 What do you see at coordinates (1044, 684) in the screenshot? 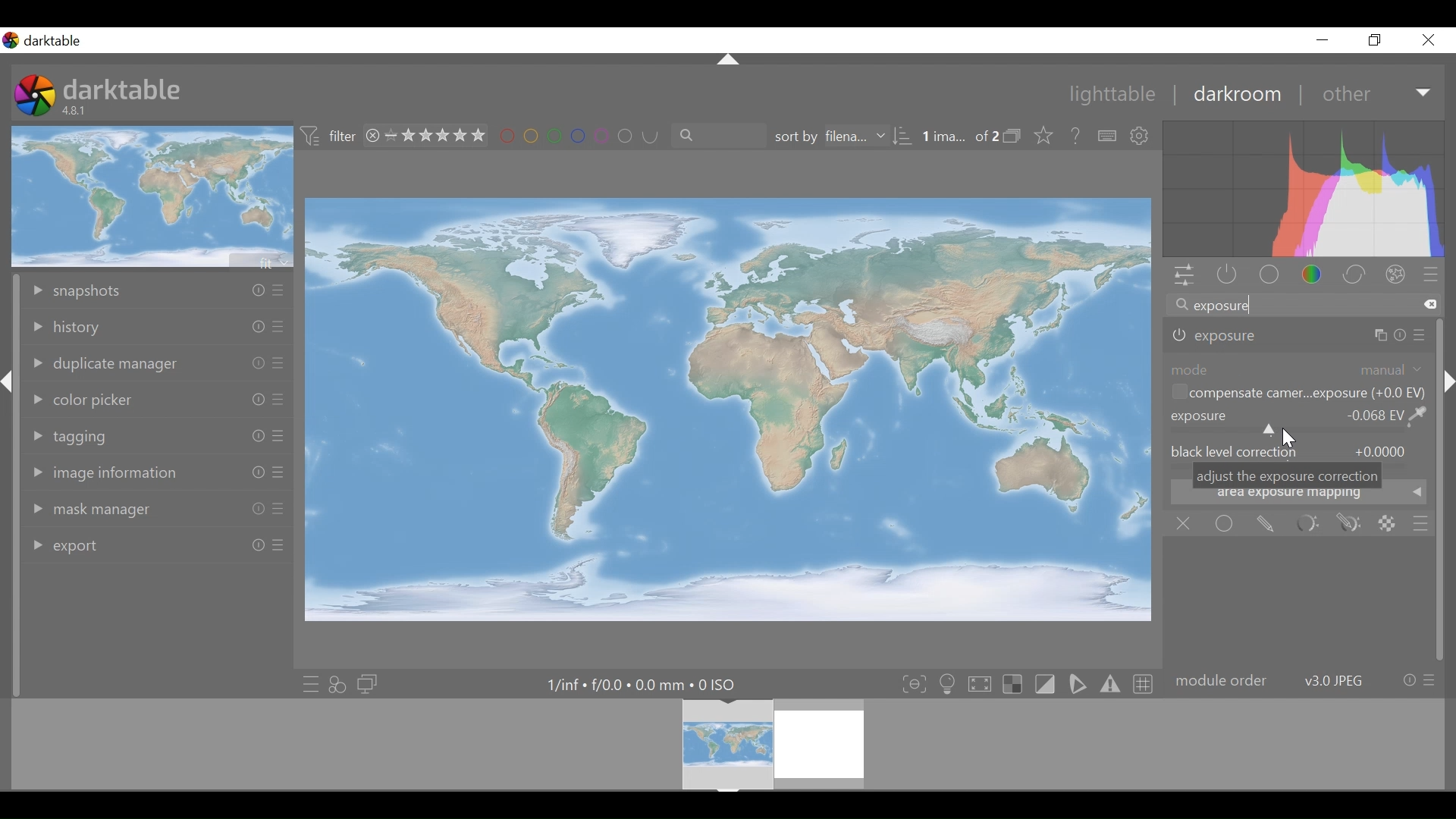
I see `toggle clipping indication` at bounding box center [1044, 684].